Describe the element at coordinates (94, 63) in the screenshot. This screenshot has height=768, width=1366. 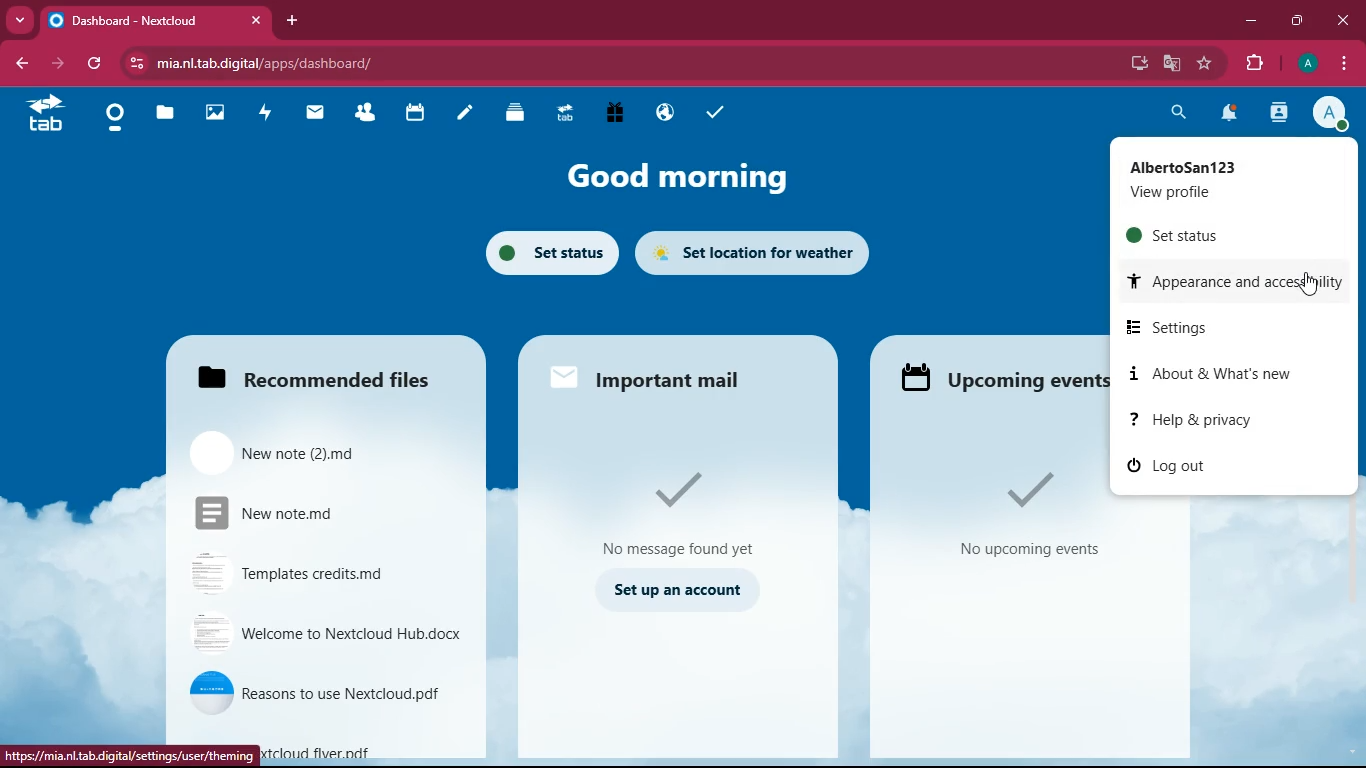
I see `refresh` at that location.